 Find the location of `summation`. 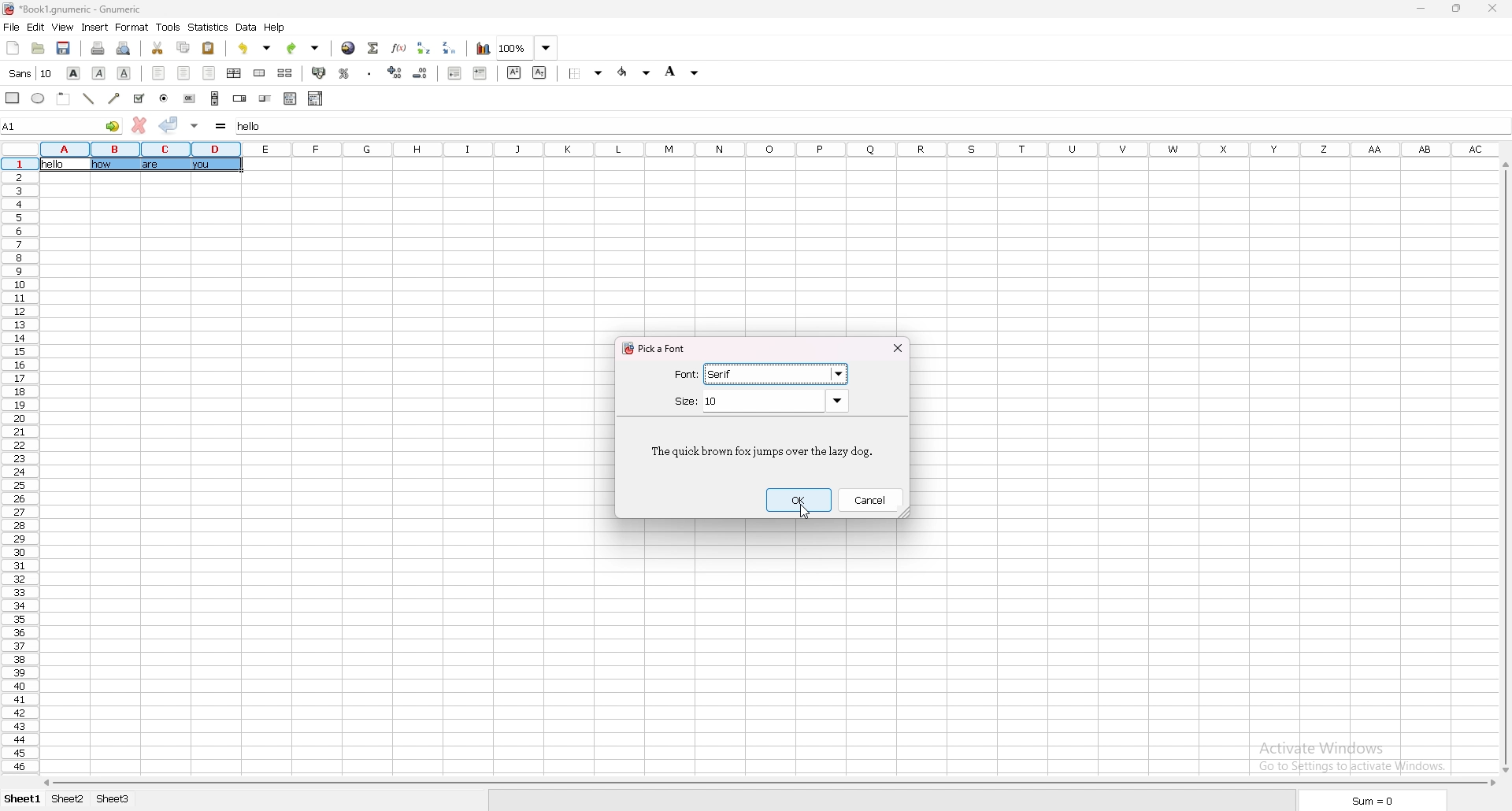

summation is located at coordinates (373, 46).